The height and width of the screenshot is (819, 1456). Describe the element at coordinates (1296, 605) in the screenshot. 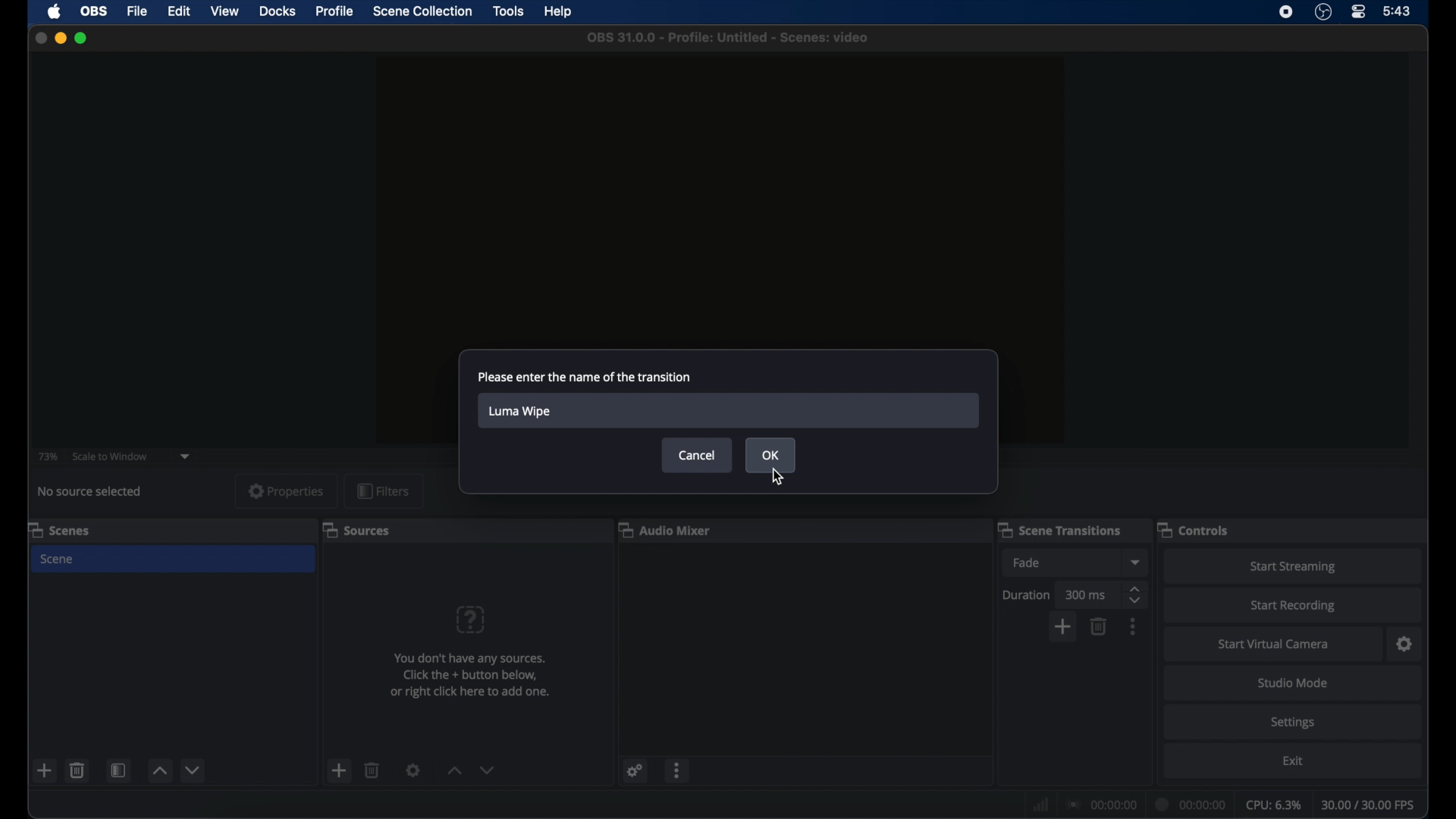

I see `start recording` at that location.